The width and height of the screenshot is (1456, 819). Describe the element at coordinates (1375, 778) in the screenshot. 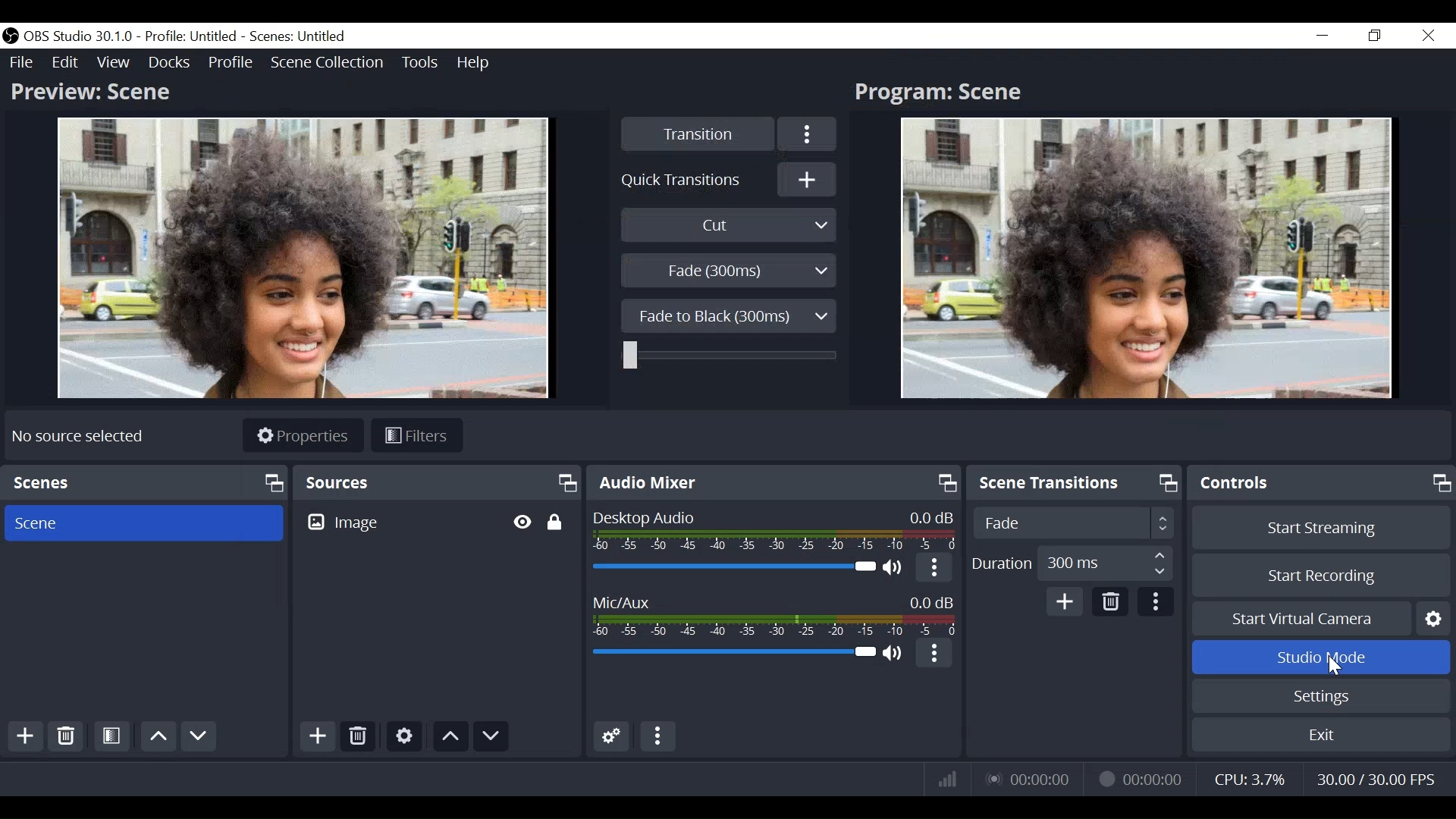

I see `Frame Rate (Frame Per Second)` at that location.